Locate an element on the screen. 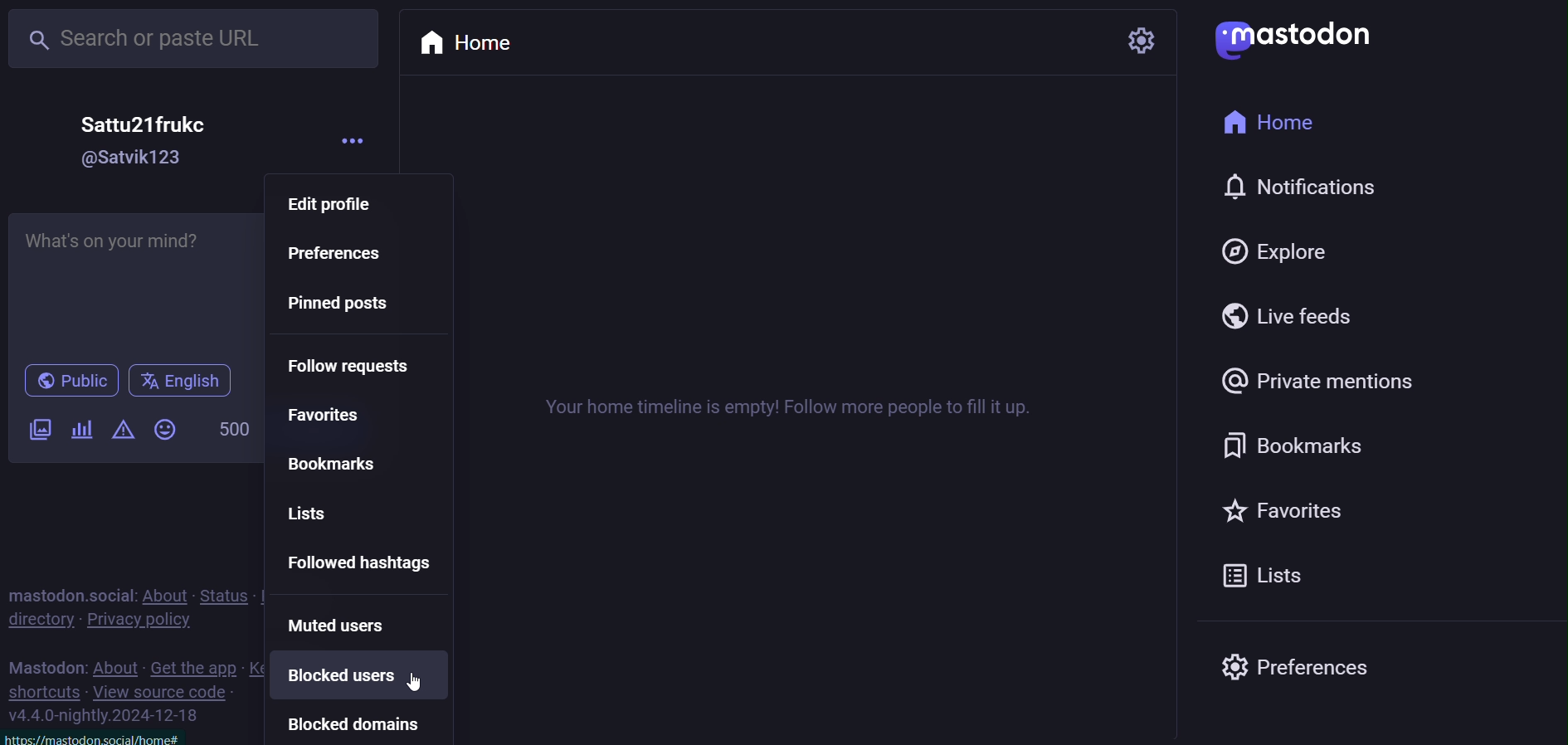 The height and width of the screenshot is (745, 1568). Your home timeline is empty! Follow more people to fill it up. is located at coordinates (786, 402).